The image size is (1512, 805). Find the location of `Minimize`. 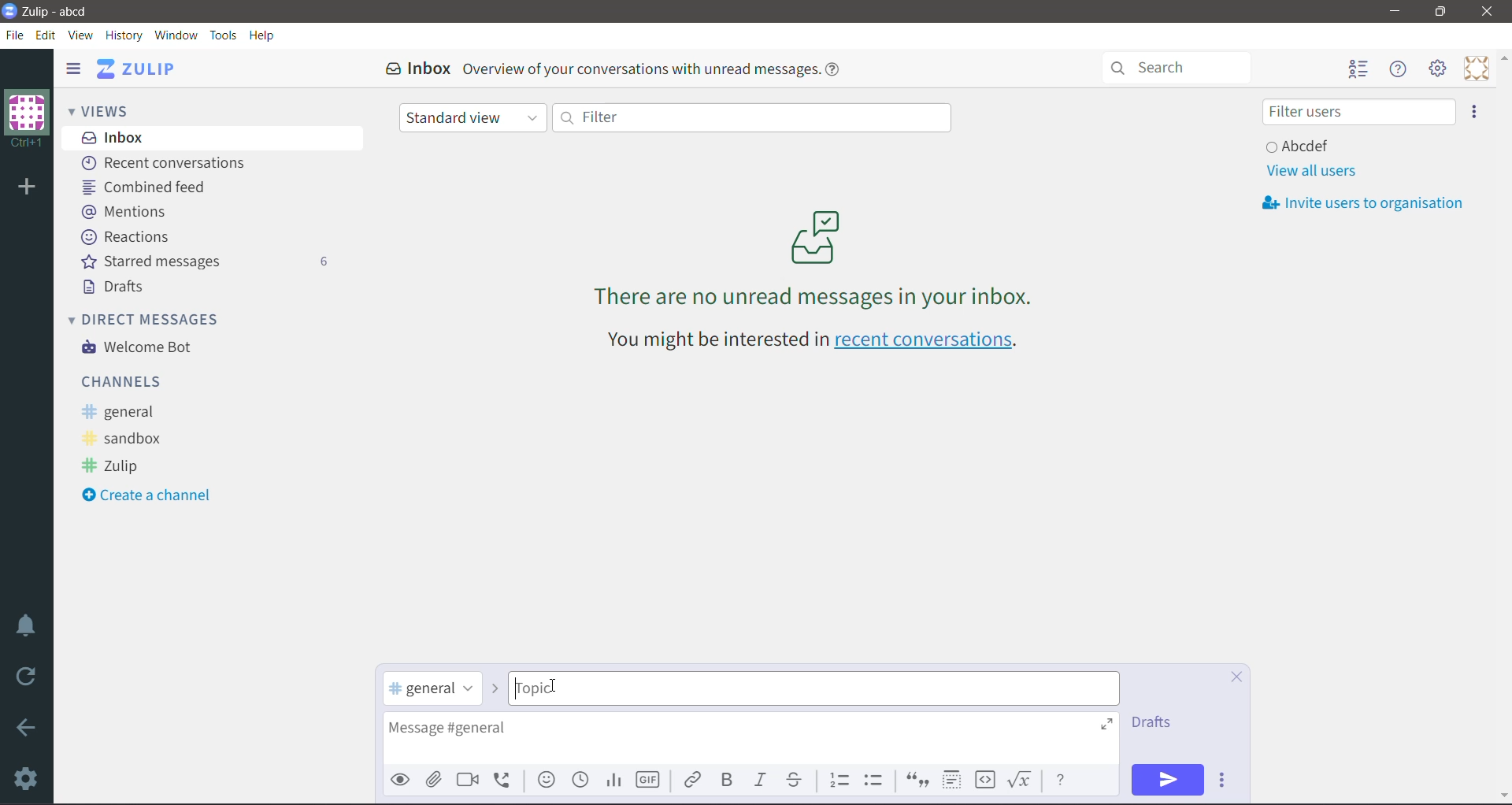

Minimize is located at coordinates (1395, 11).